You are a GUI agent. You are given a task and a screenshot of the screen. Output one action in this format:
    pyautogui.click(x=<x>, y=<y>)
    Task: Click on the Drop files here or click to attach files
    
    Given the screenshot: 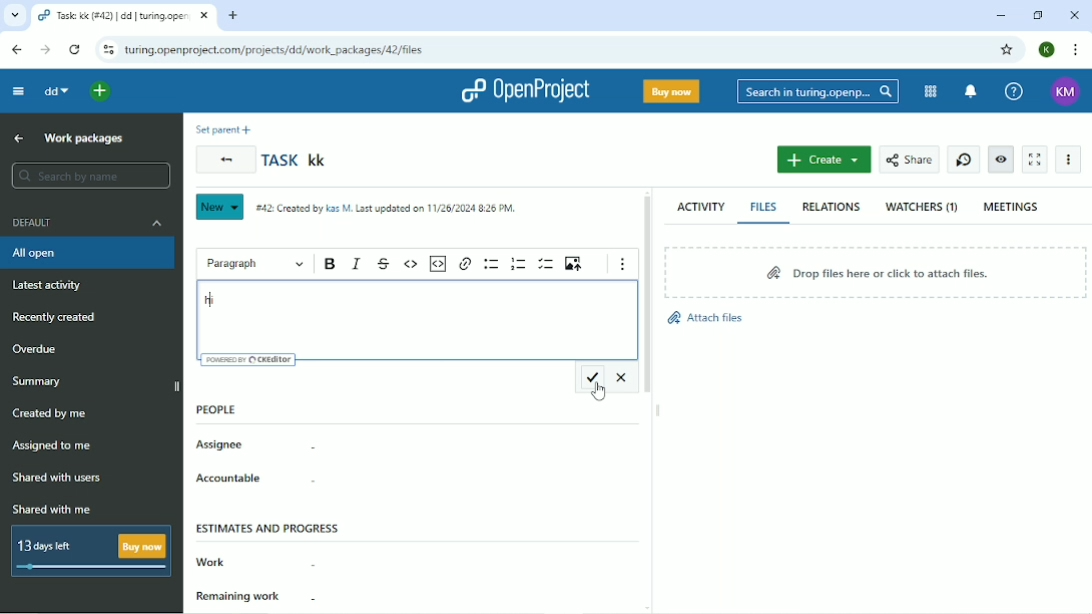 What is the action you would take?
    pyautogui.click(x=873, y=271)
    